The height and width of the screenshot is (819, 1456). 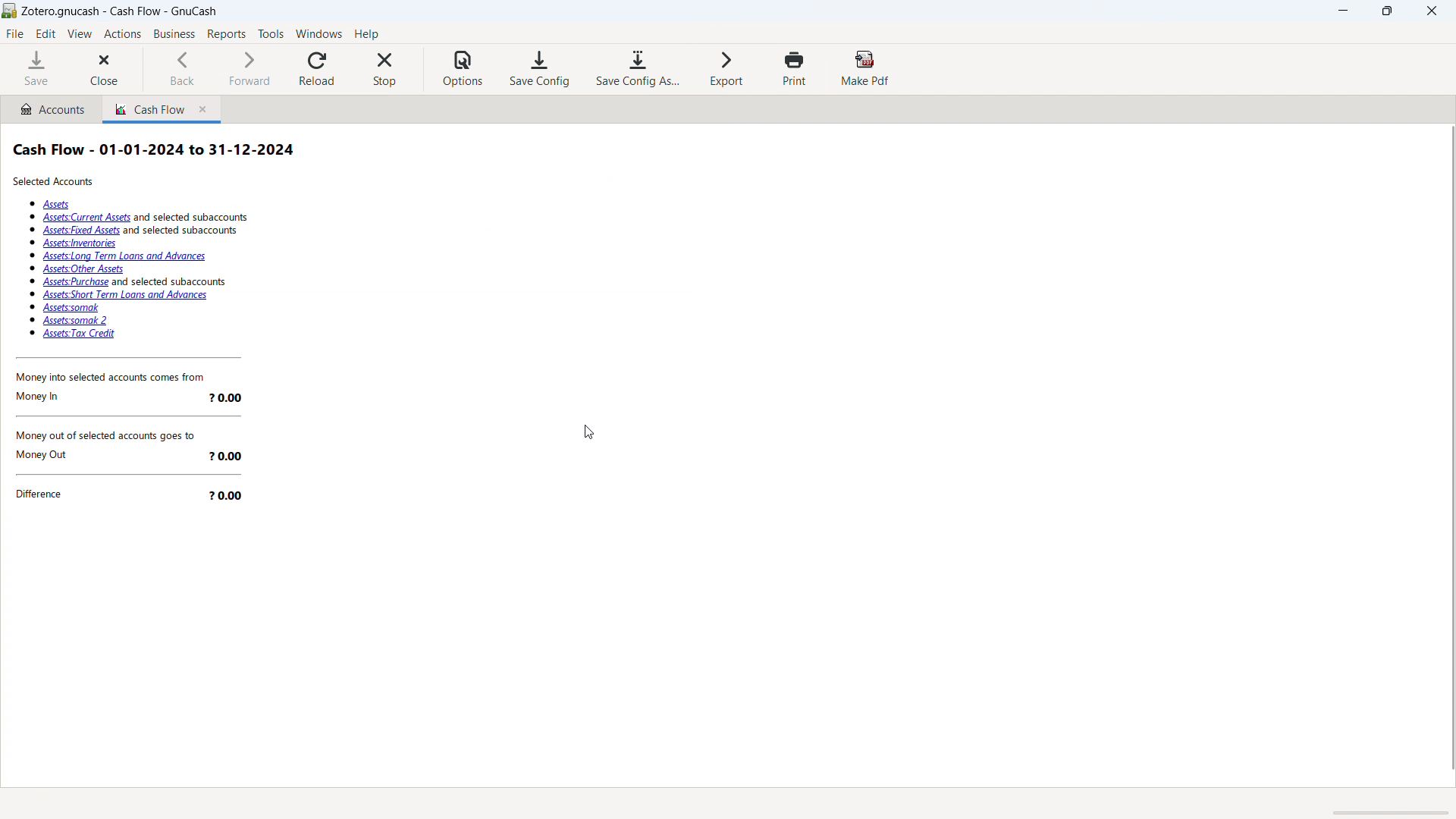 What do you see at coordinates (250, 68) in the screenshot?
I see `forward` at bounding box center [250, 68].